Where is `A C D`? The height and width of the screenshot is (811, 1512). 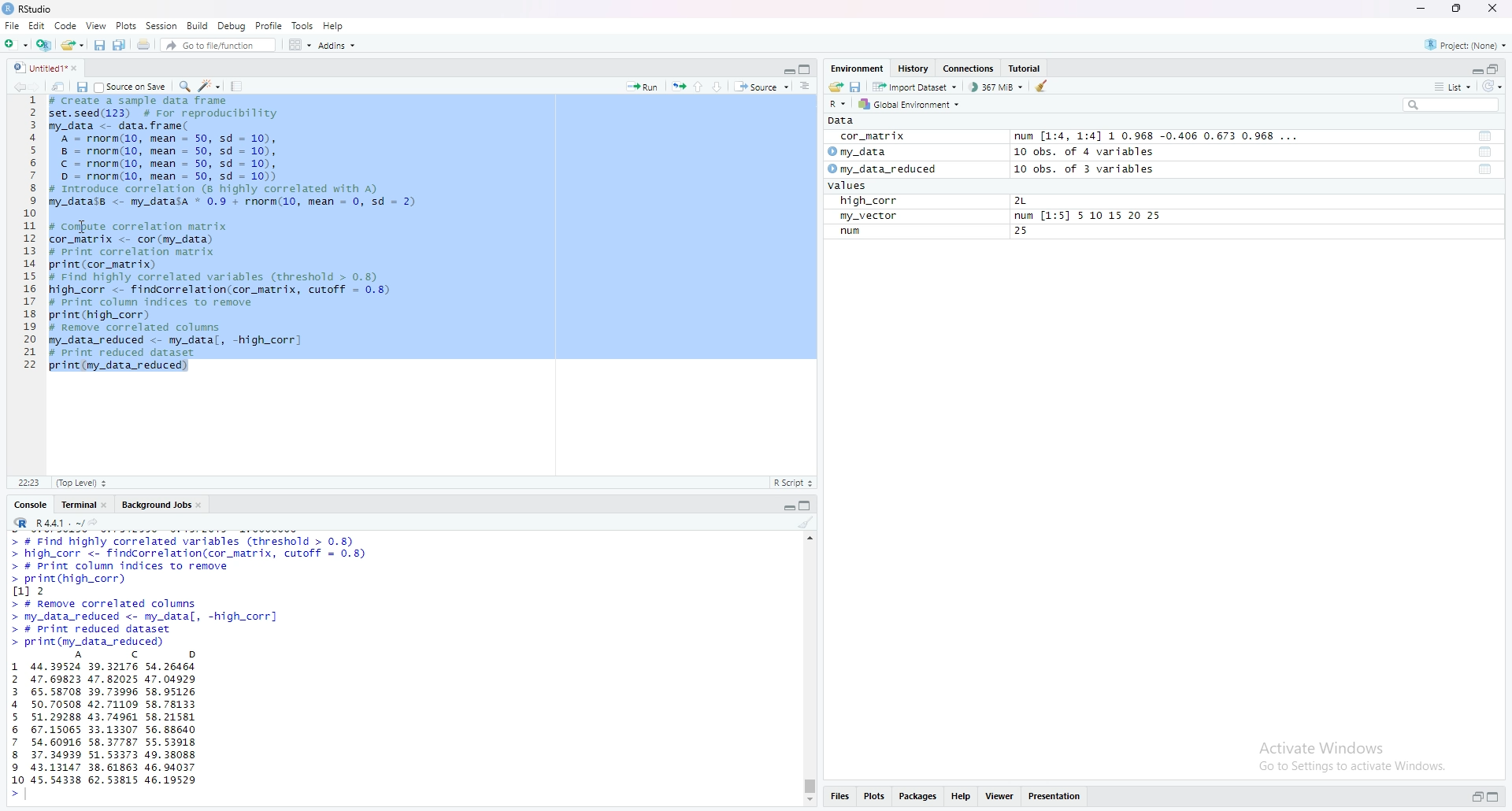
A C D is located at coordinates (139, 654).